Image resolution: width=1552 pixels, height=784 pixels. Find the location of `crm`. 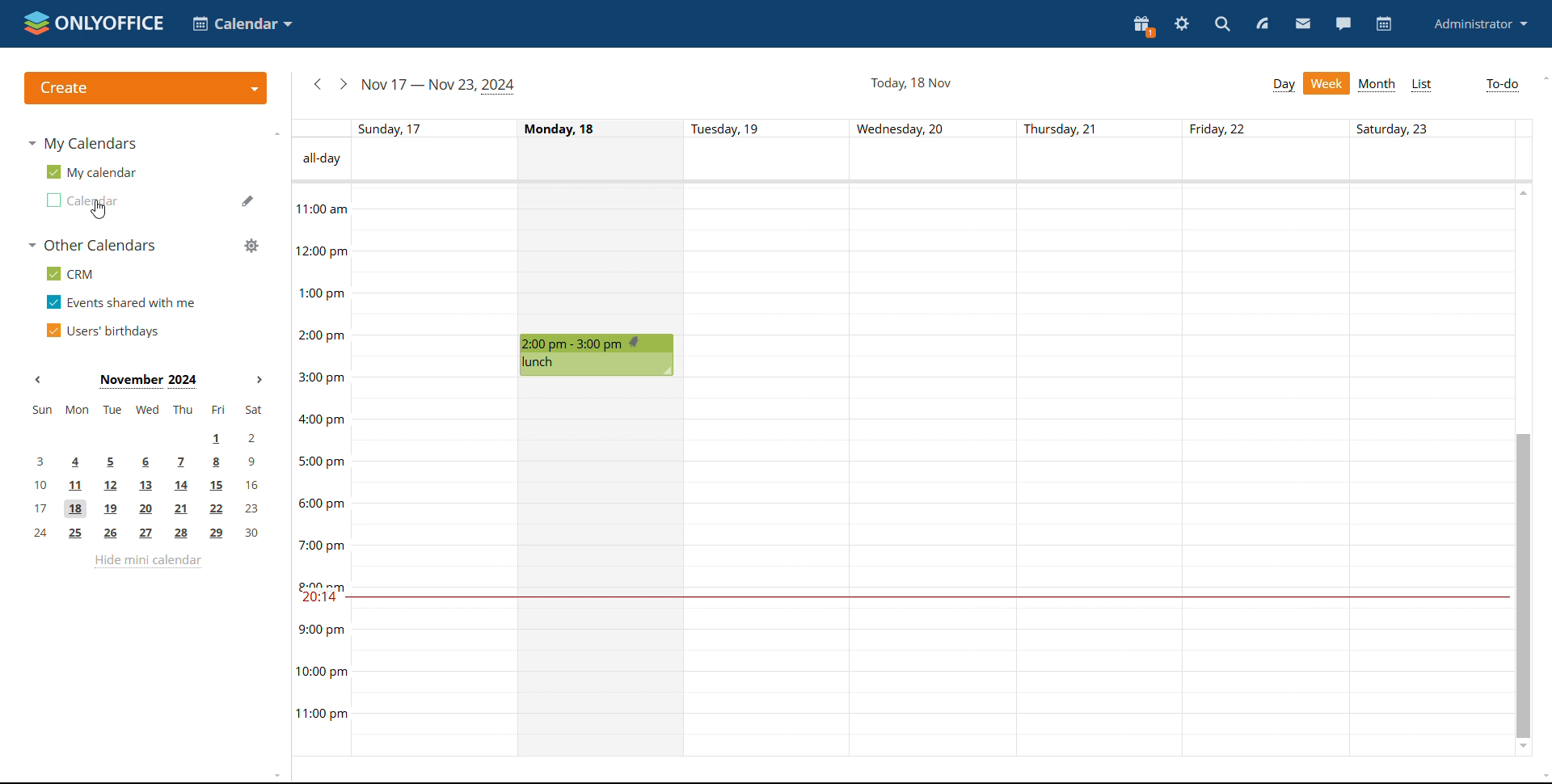

crm is located at coordinates (70, 273).